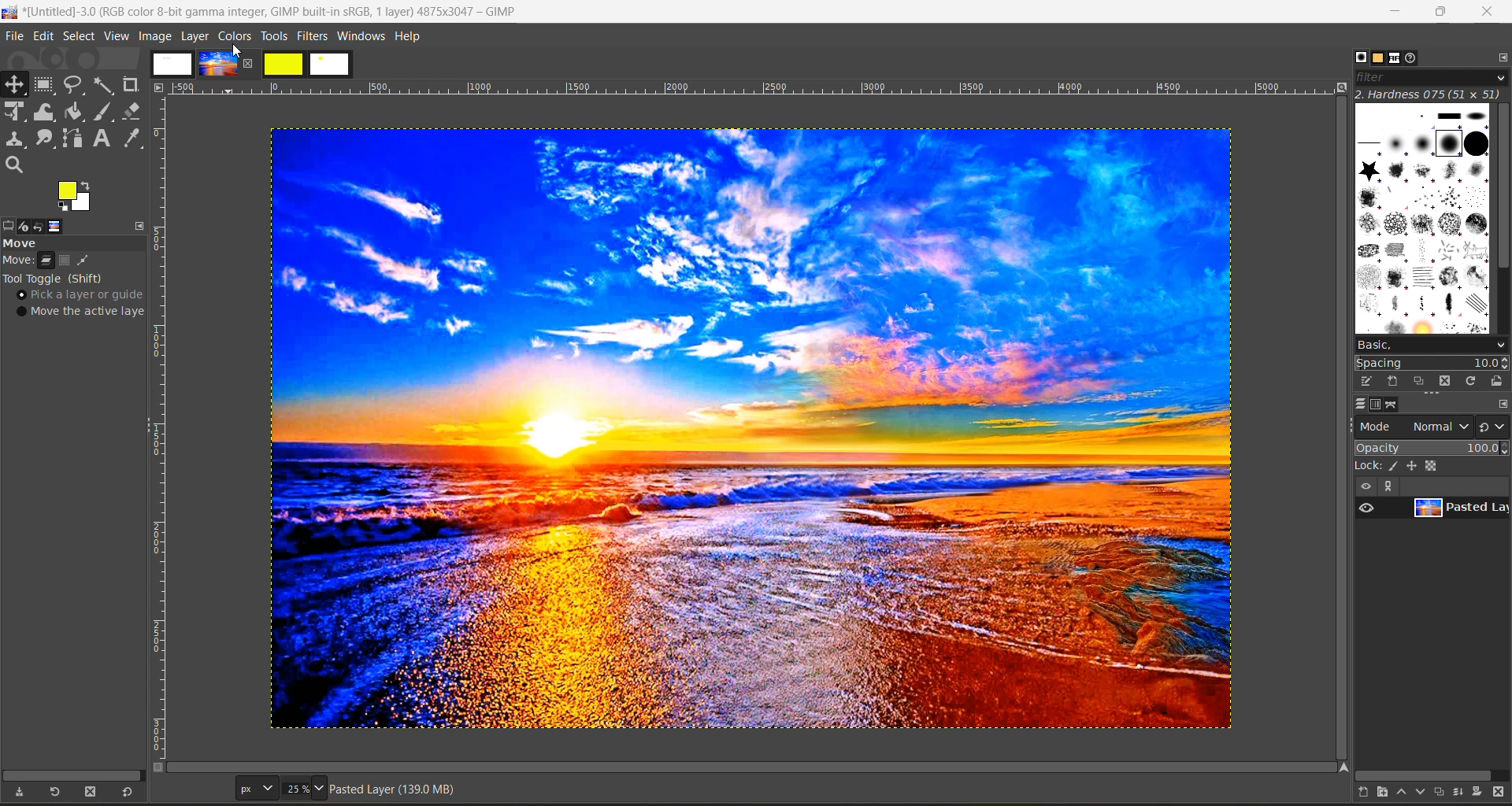 Image resolution: width=1512 pixels, height=806 pixels. Describe the element at coordinates (1494, 430) in the screenshot. I see `switch to another group` at that location.